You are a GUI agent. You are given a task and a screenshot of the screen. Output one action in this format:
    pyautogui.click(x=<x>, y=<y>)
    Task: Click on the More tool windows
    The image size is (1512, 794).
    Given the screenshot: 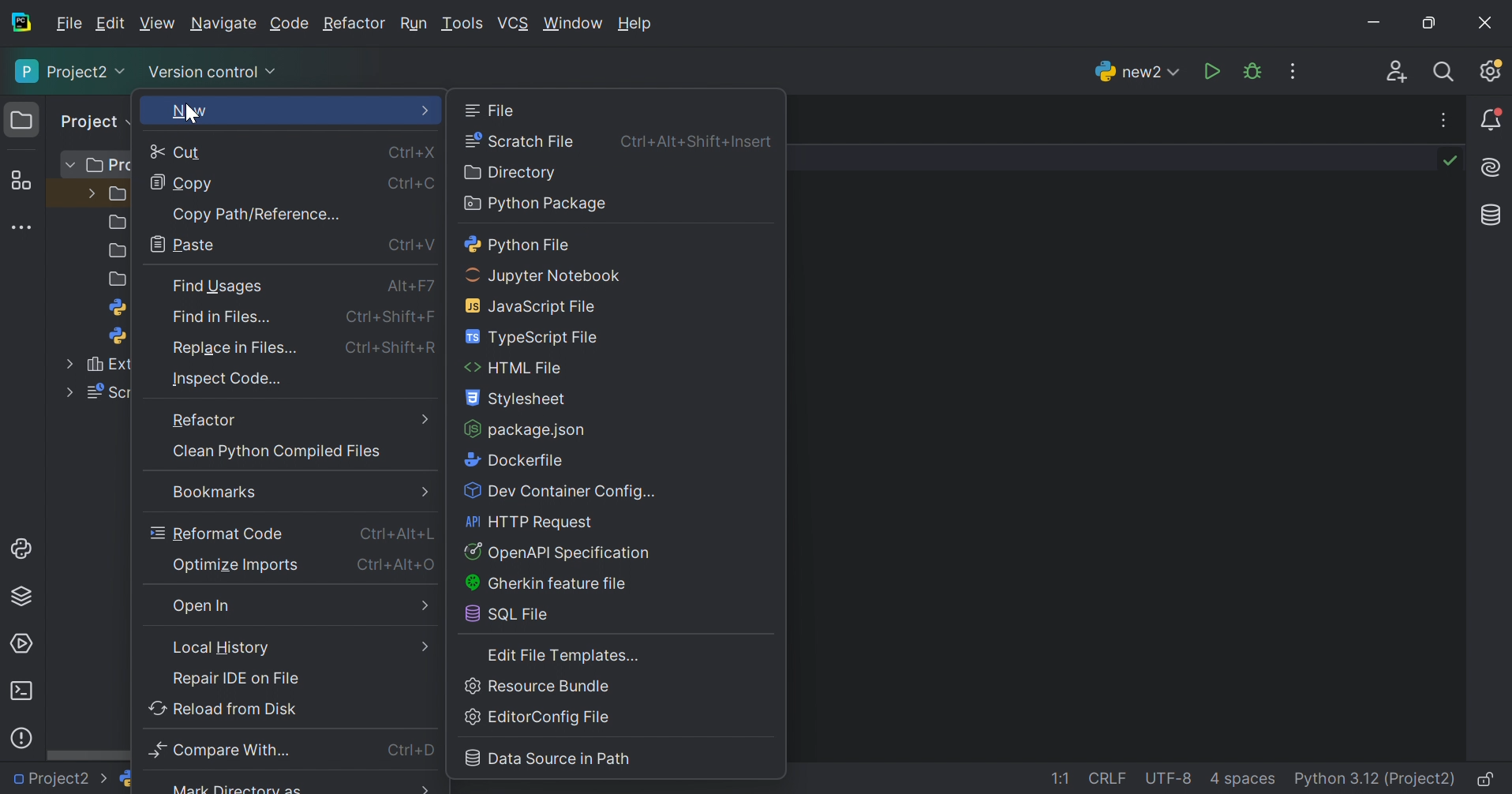 What is the action you would take?
    pyautogui.click(x=21, y=227)
    